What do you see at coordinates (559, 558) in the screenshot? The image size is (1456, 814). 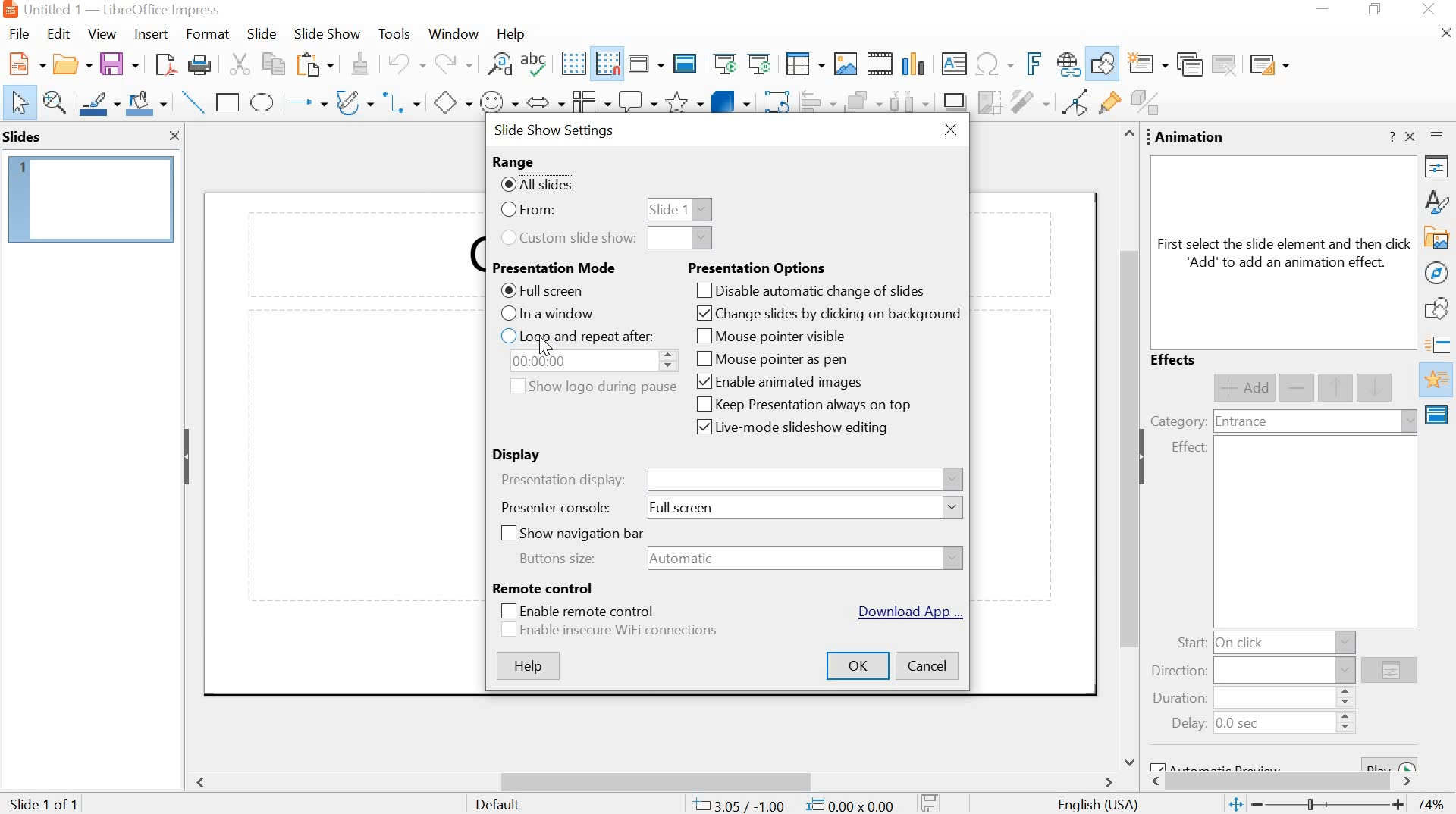 I see `buttons size` at bounding box center [559, 558].